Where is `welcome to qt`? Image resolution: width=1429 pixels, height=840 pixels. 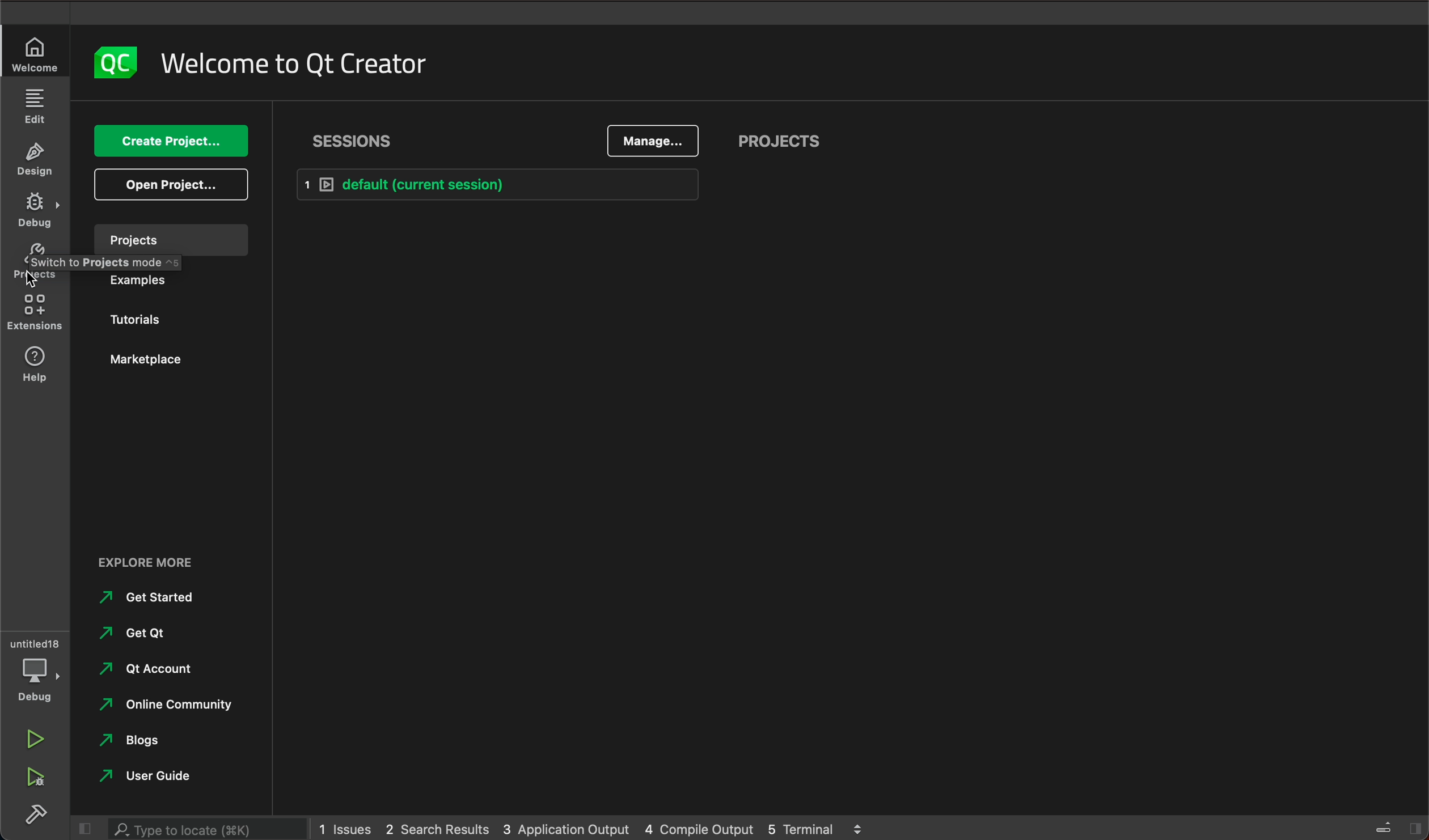 welcome to qt is located at coordinates (308, 63).